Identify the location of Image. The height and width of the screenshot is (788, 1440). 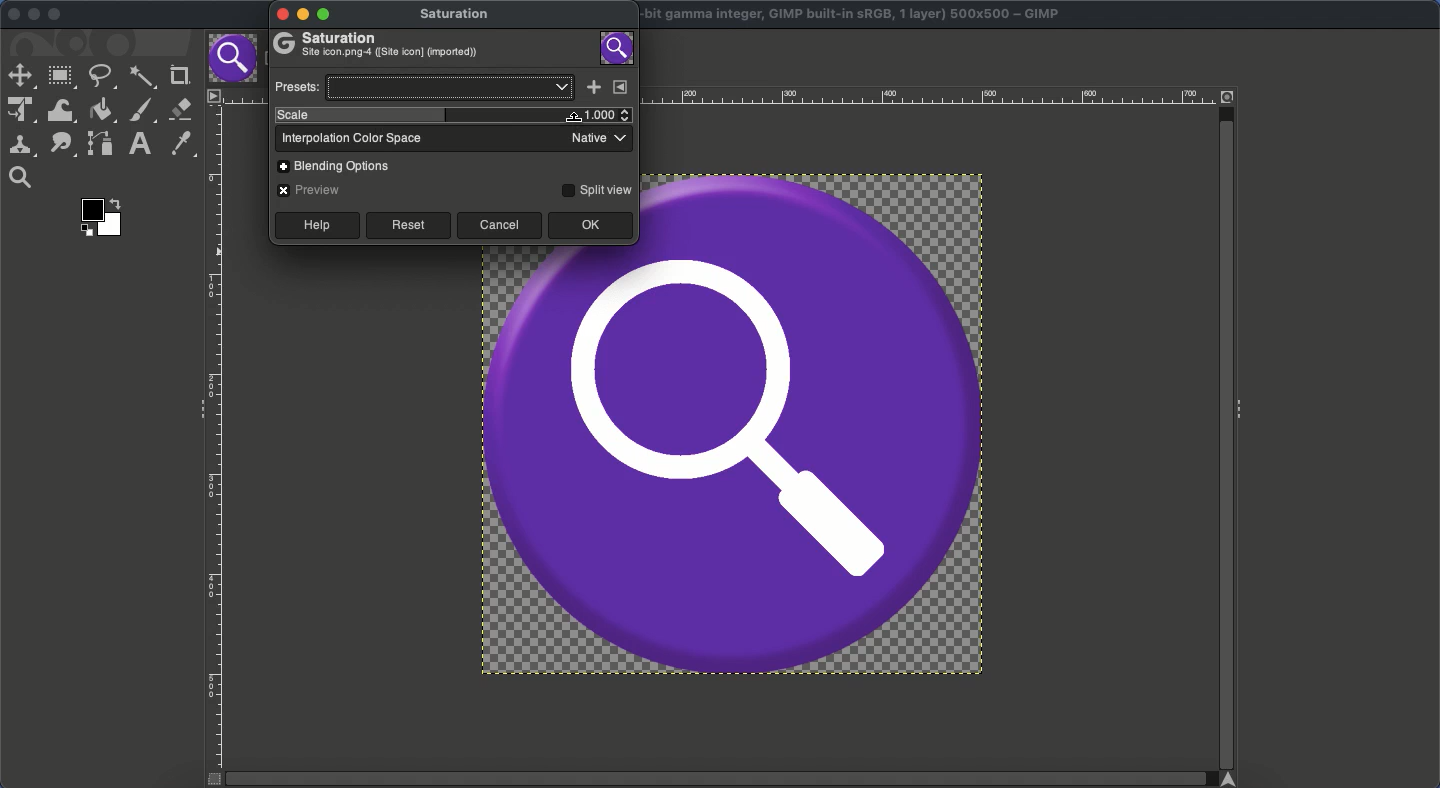
(618, 47).